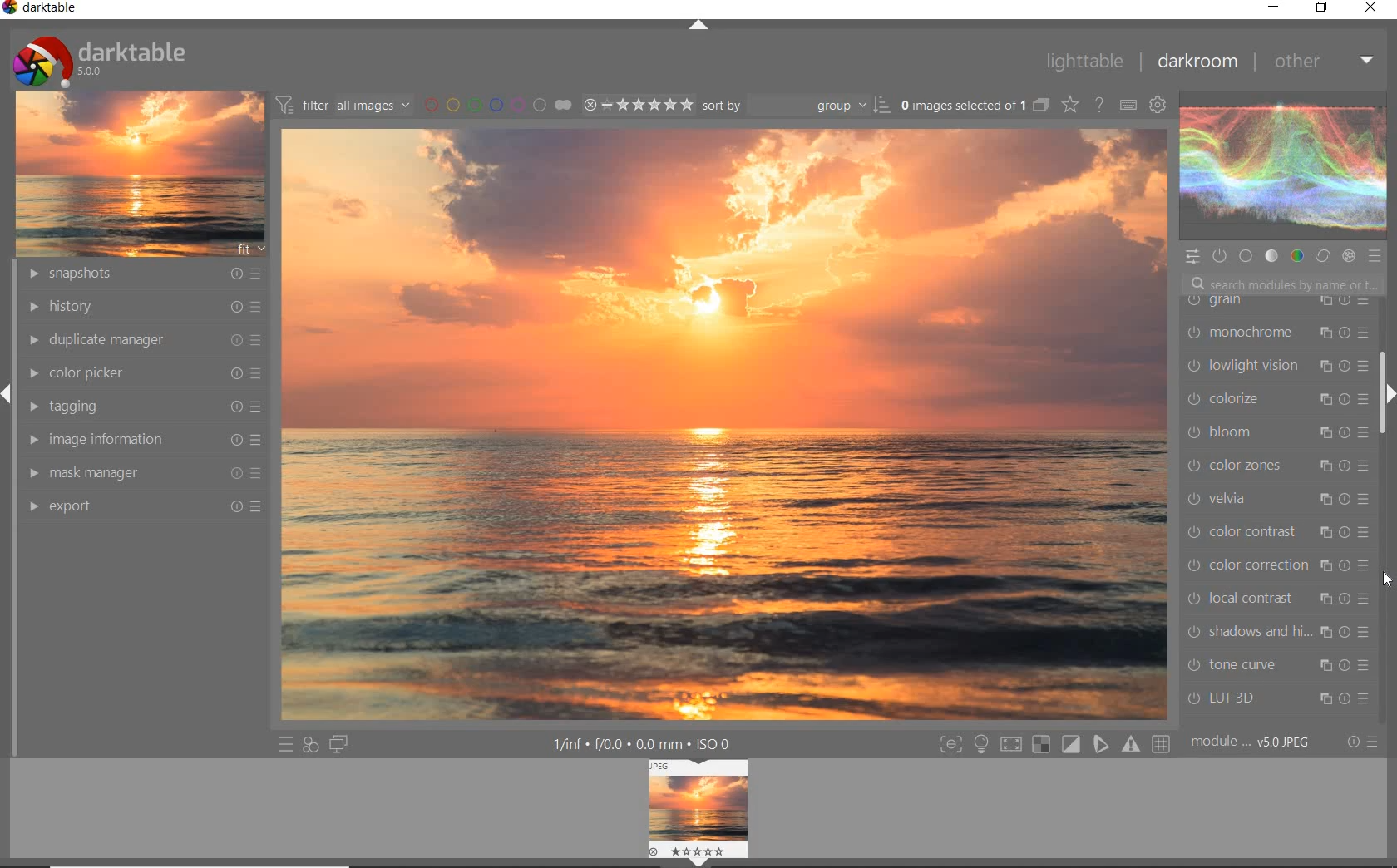 This screenshot has height=868, width=1397. What do you see at coordinates (338, 746) in the screenshot?
I see `DISPLAY A SECOND DARKROOM IMAGE WINDOW` at bounding box center [338, 746].